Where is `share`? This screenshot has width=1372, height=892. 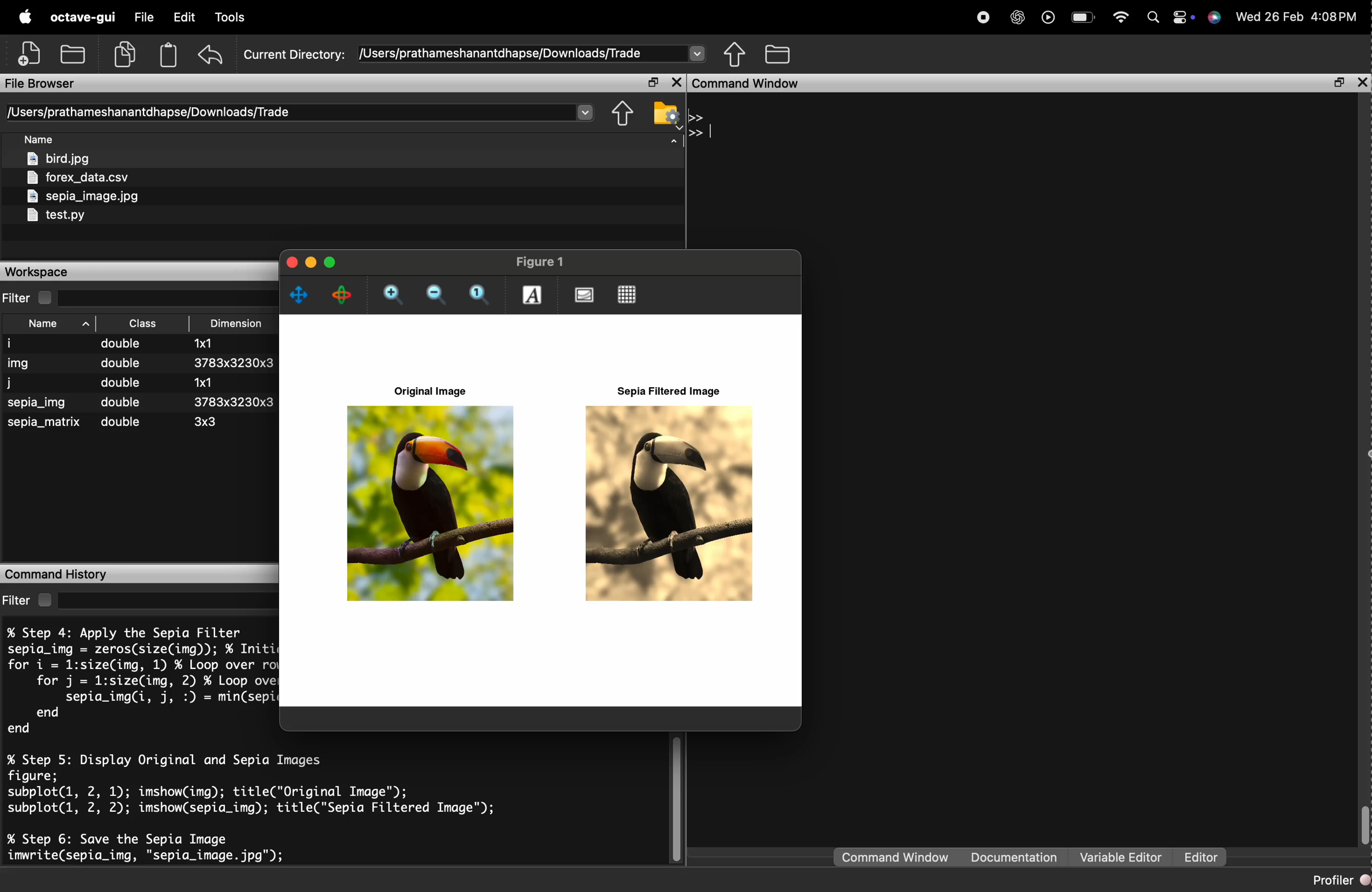 share is located at coordinates (734, 53).